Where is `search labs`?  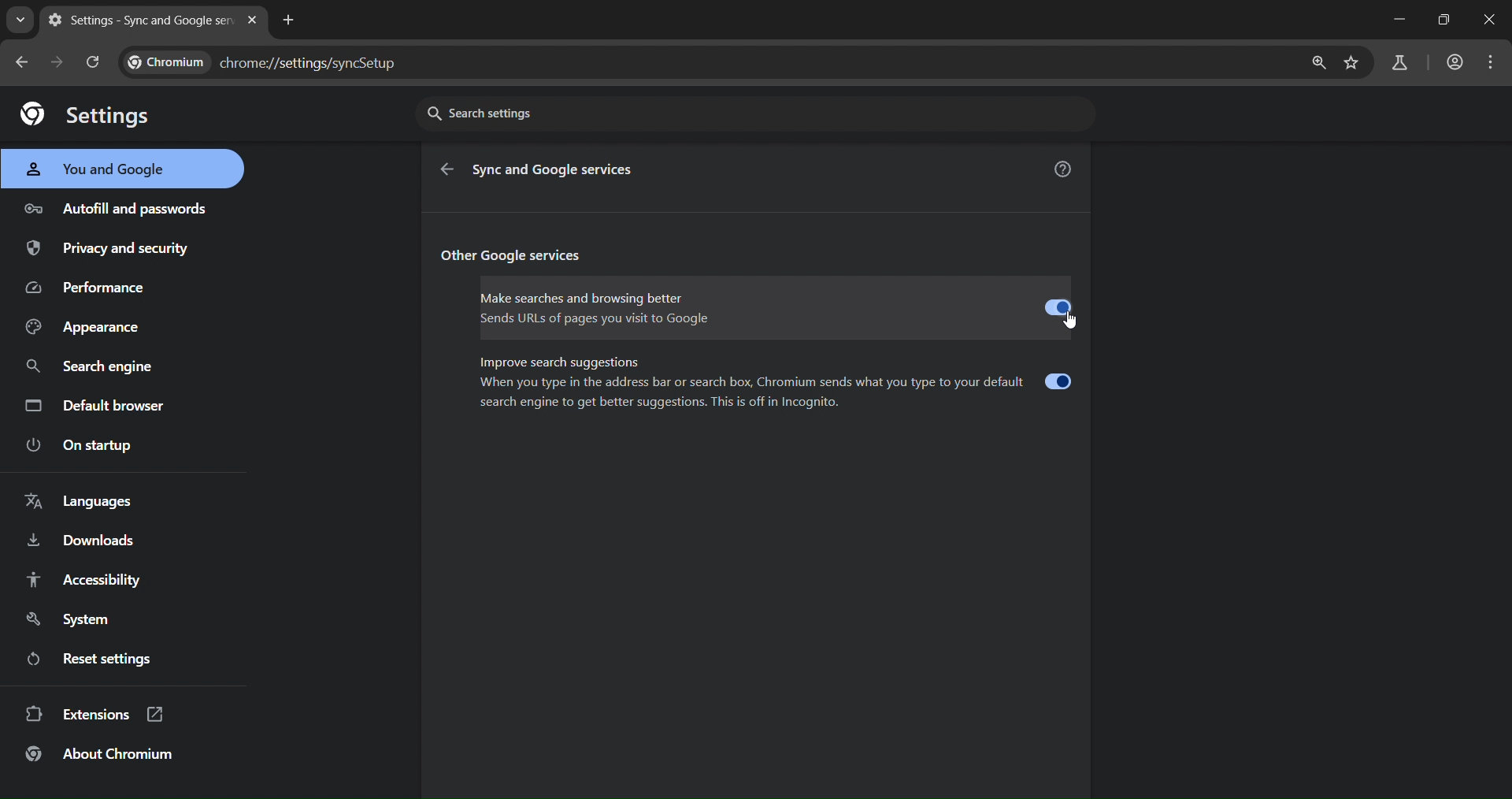
search labs is located at coordinates (1400, 61).